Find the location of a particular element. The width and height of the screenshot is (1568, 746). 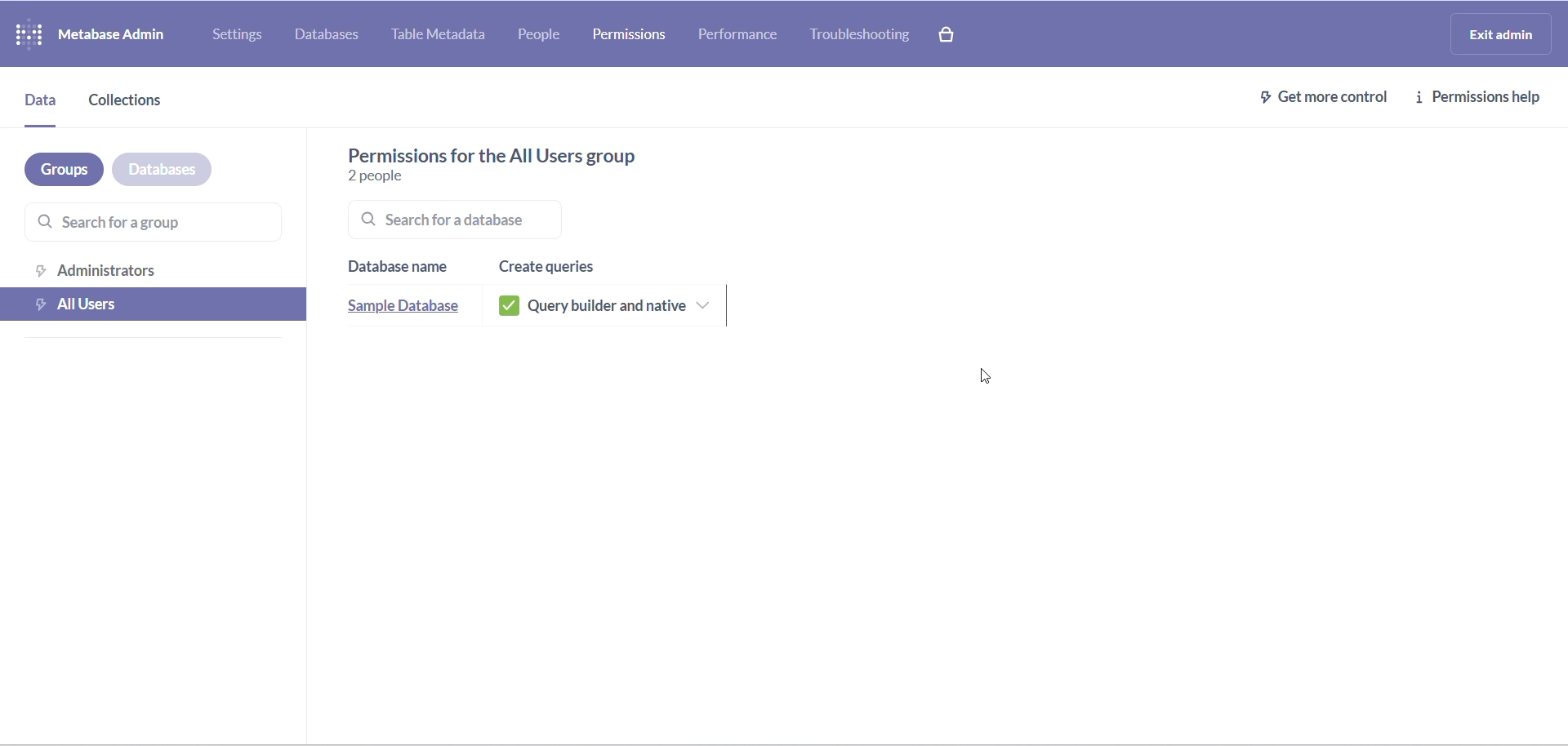

data is located at coordinates (43, 99).